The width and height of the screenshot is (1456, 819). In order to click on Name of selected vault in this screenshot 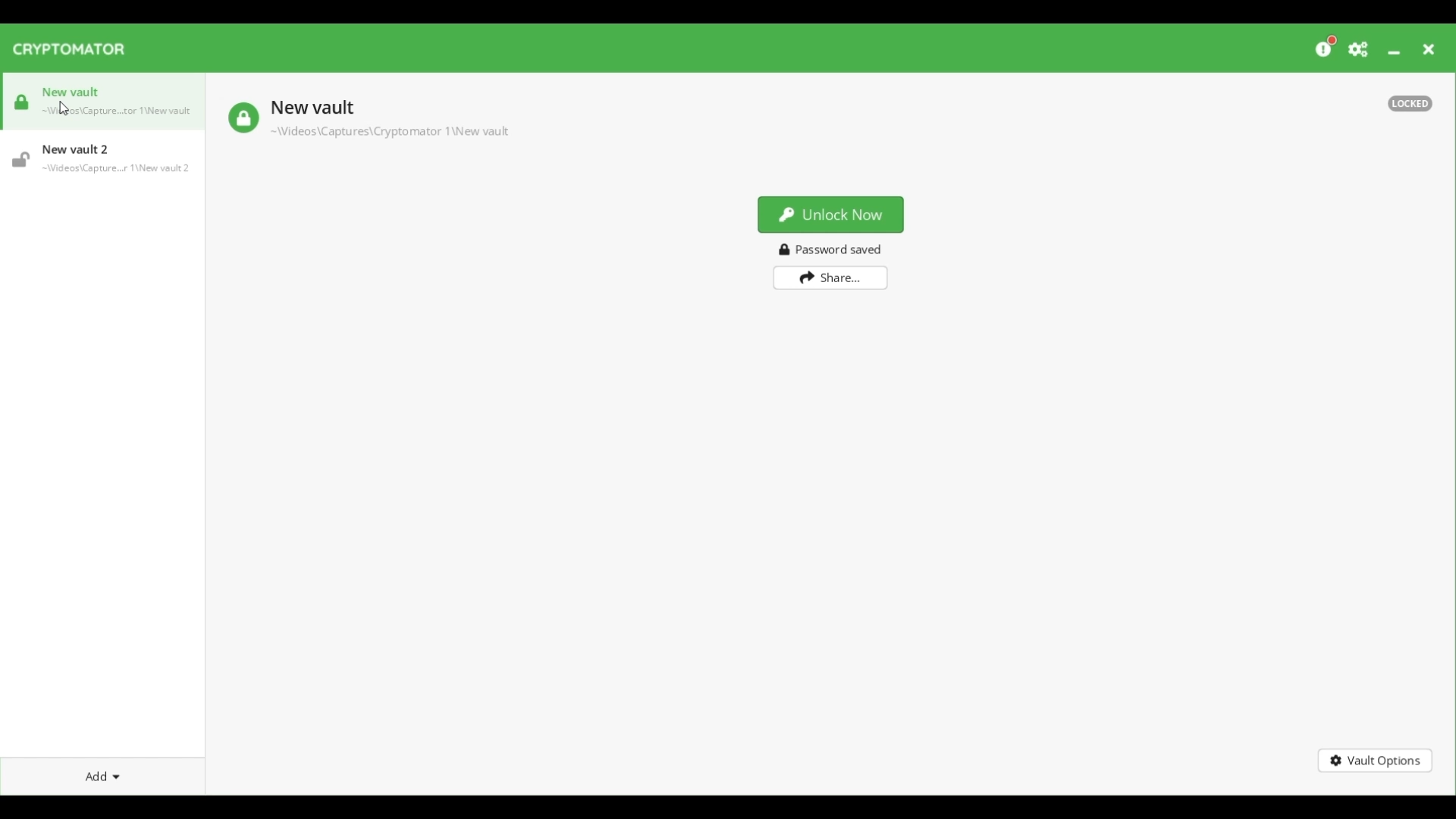, I will do `click(311, 109)`.